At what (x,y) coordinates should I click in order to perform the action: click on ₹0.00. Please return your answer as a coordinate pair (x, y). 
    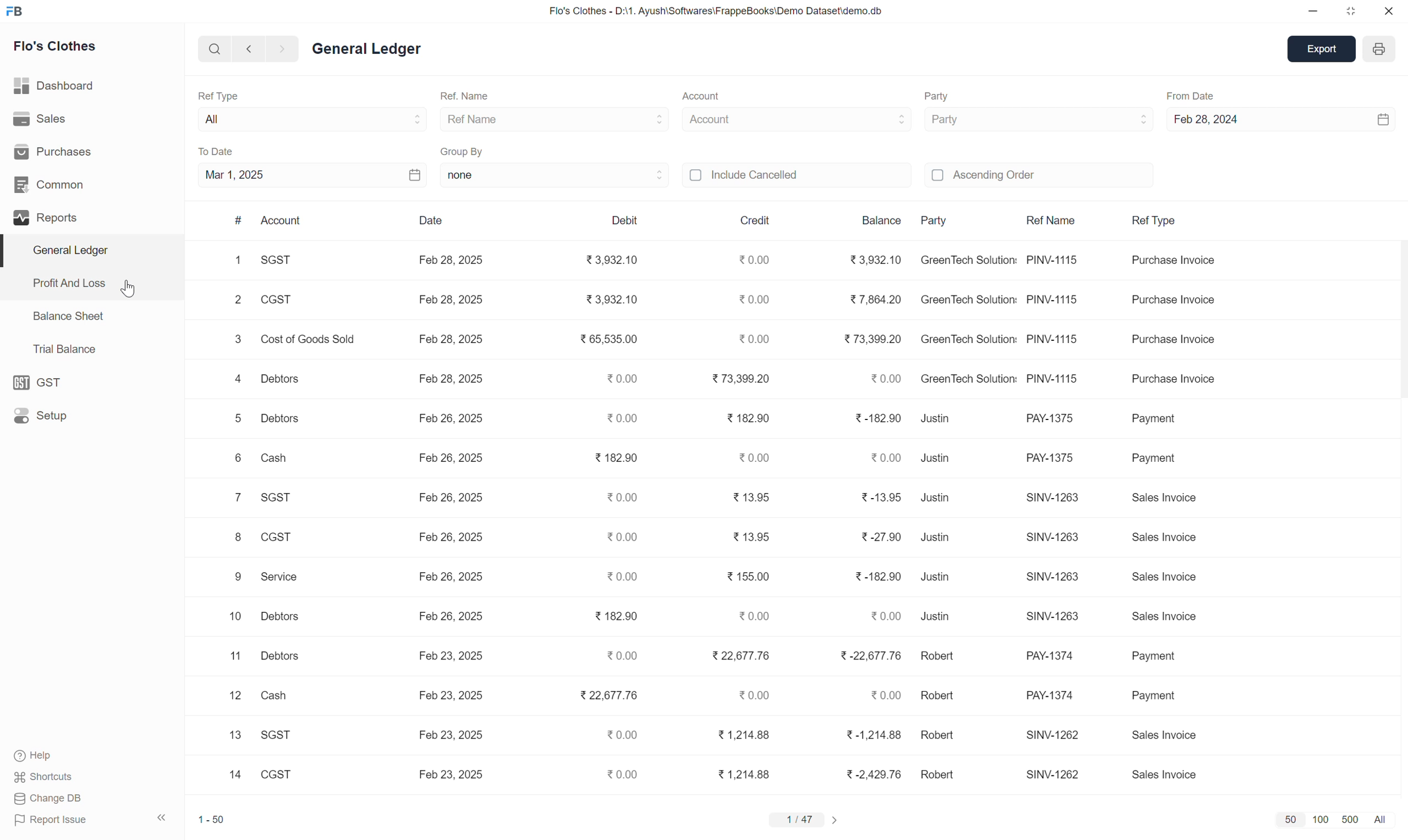
    Looking at the image, I should click on (621, 538).